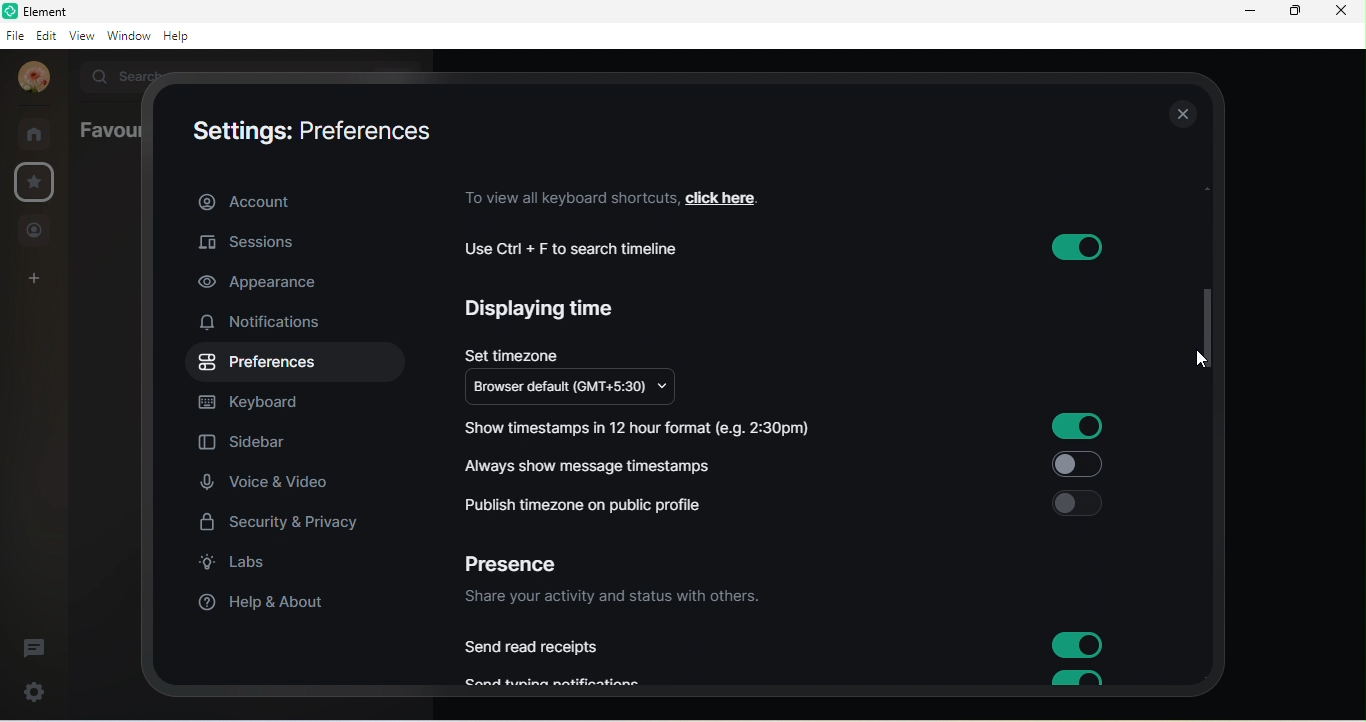  Describe the element at coordinates (1204, 359) in the screenshot. I see `cursor movement` at that location.